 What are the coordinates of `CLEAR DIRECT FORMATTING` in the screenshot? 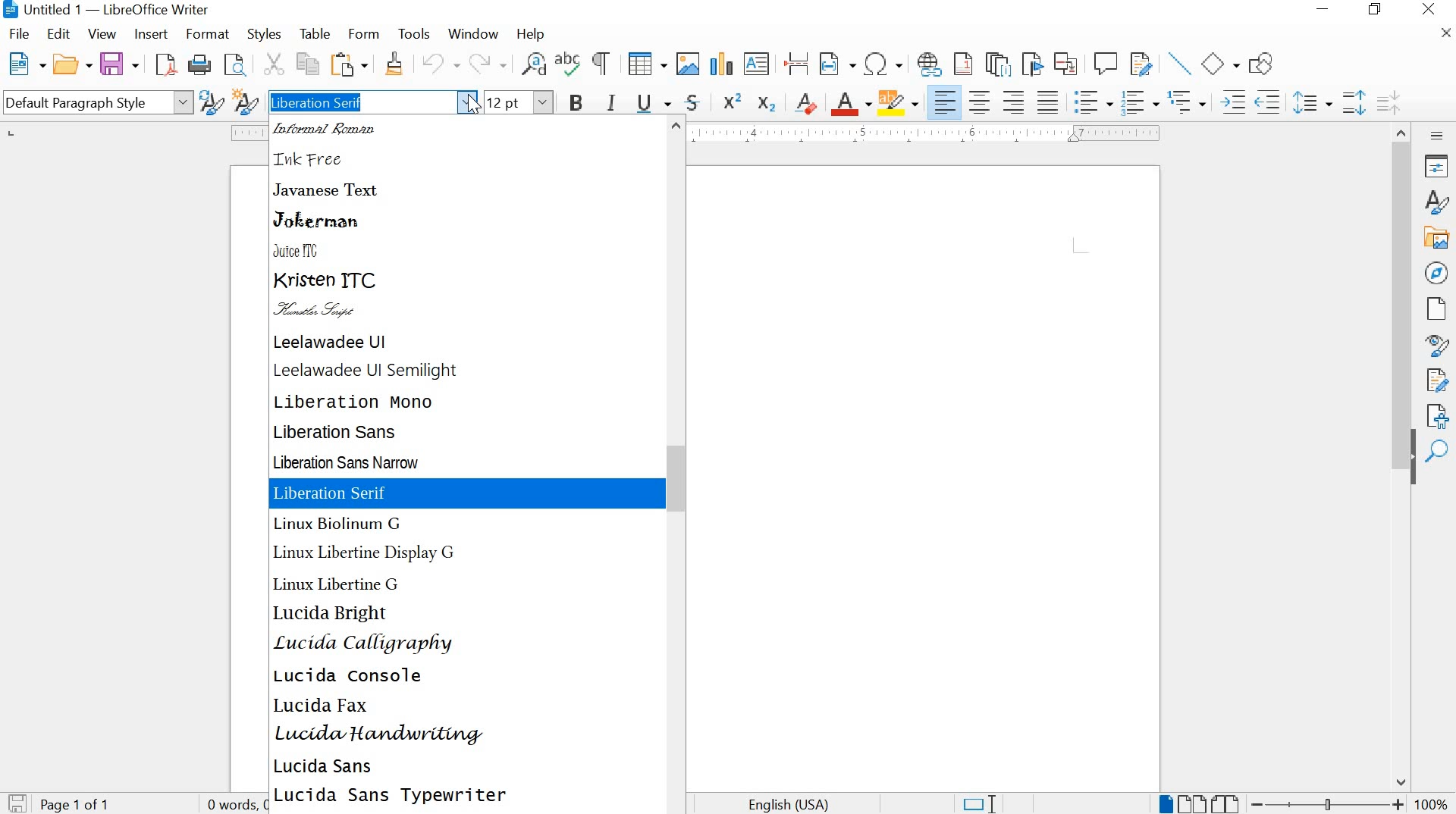 It's located at (805, 104).